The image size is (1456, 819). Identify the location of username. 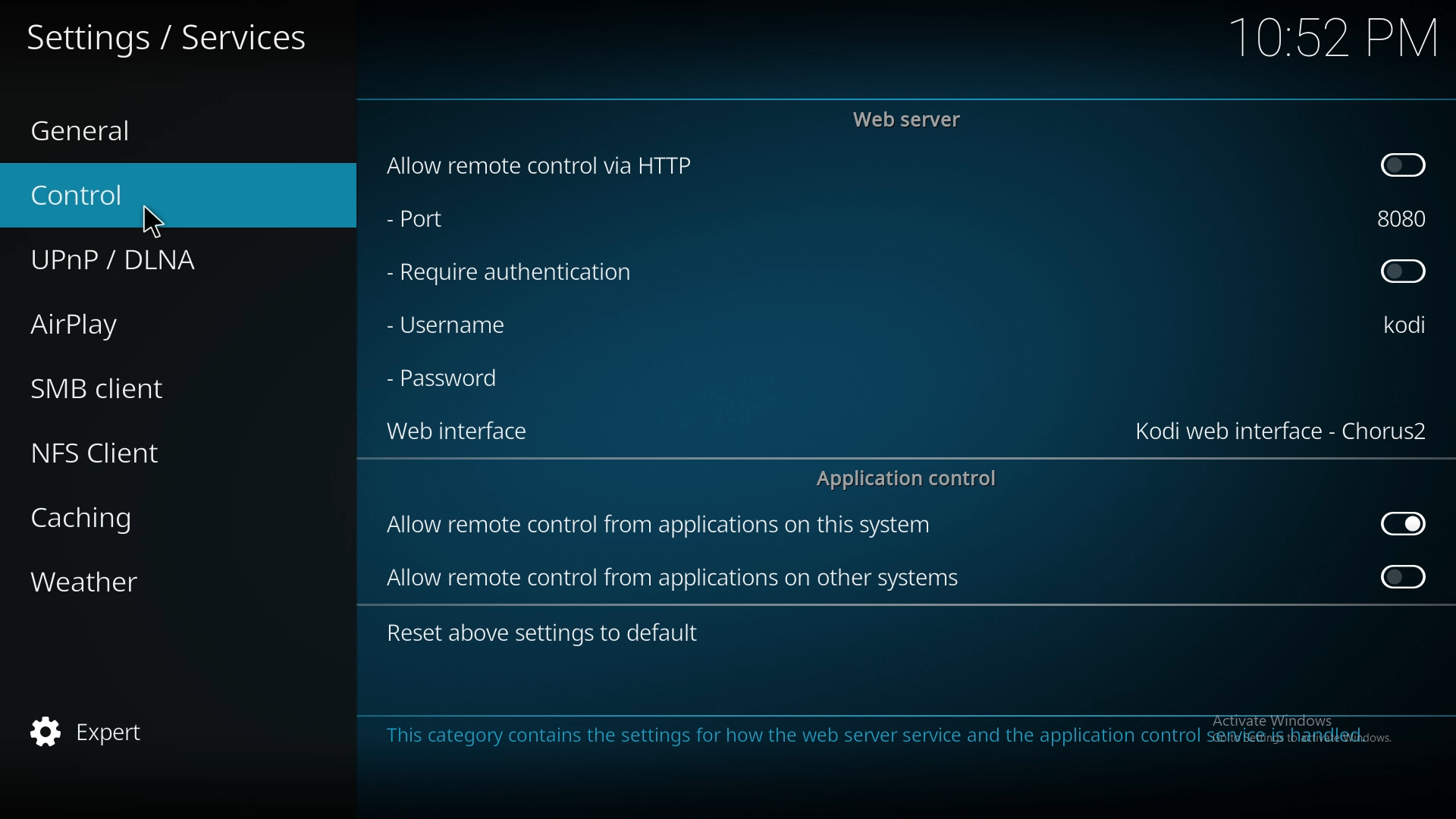
(462, 324).